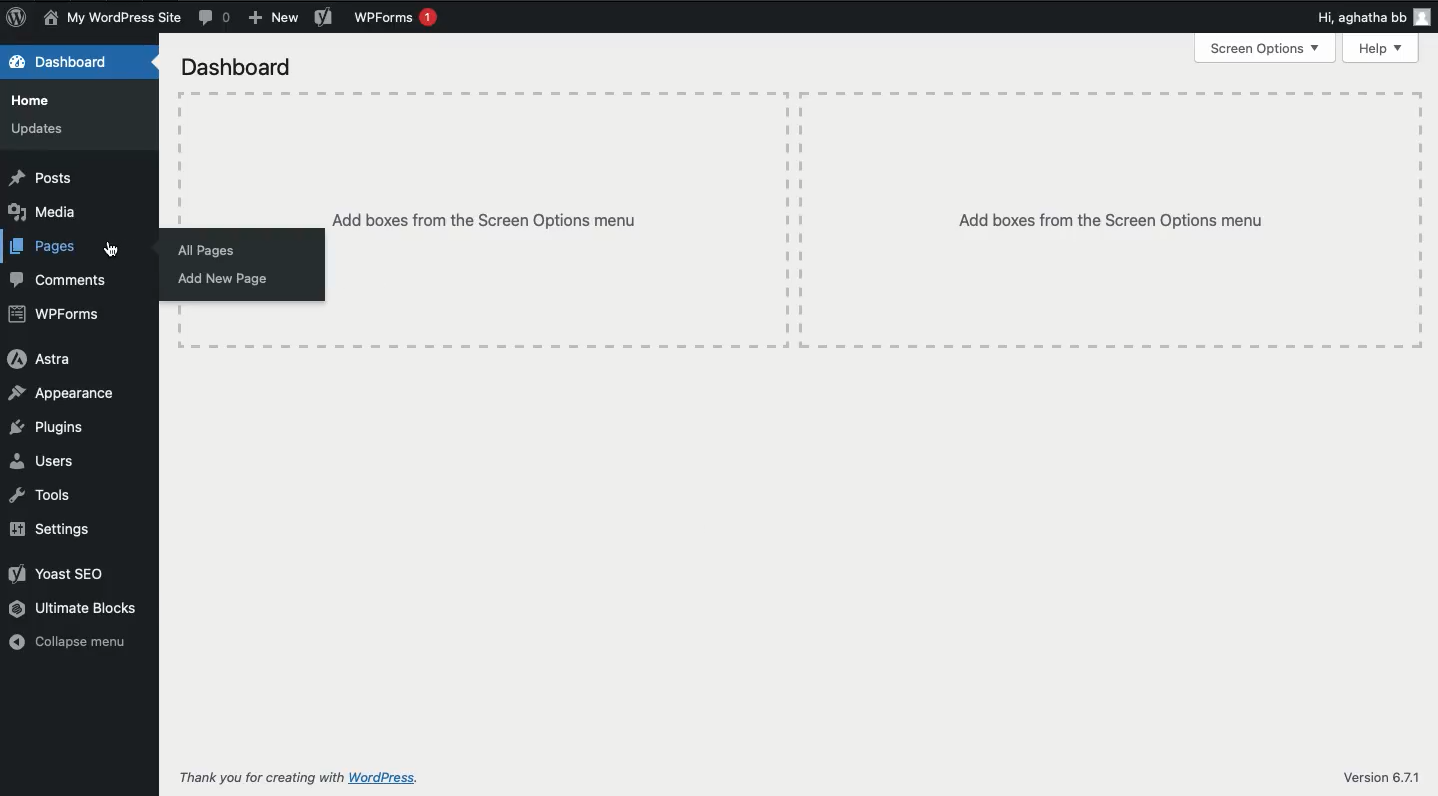 The height and width of the screenshot is (796, 1438). Describe the element at coordinates (75, 644) in the screenshot. I see `Collapse menu` at that location.